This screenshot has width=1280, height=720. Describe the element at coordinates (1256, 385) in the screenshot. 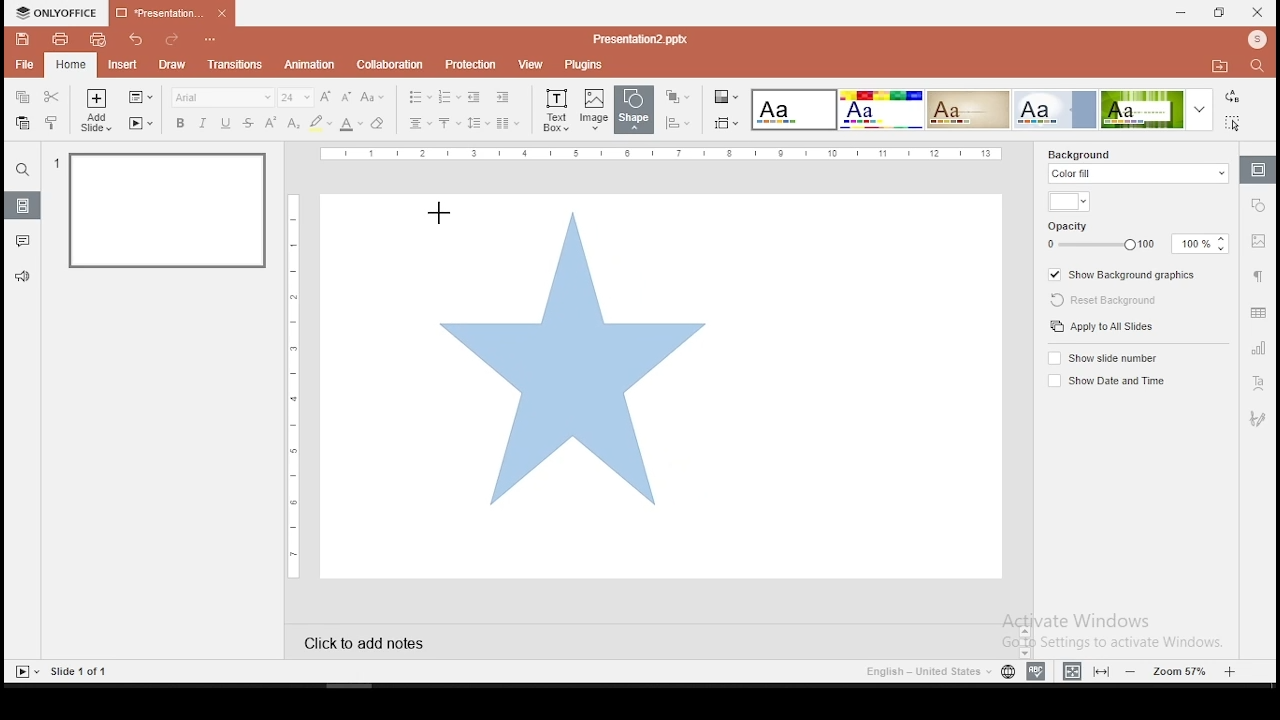

I see `text art tool` at that location.